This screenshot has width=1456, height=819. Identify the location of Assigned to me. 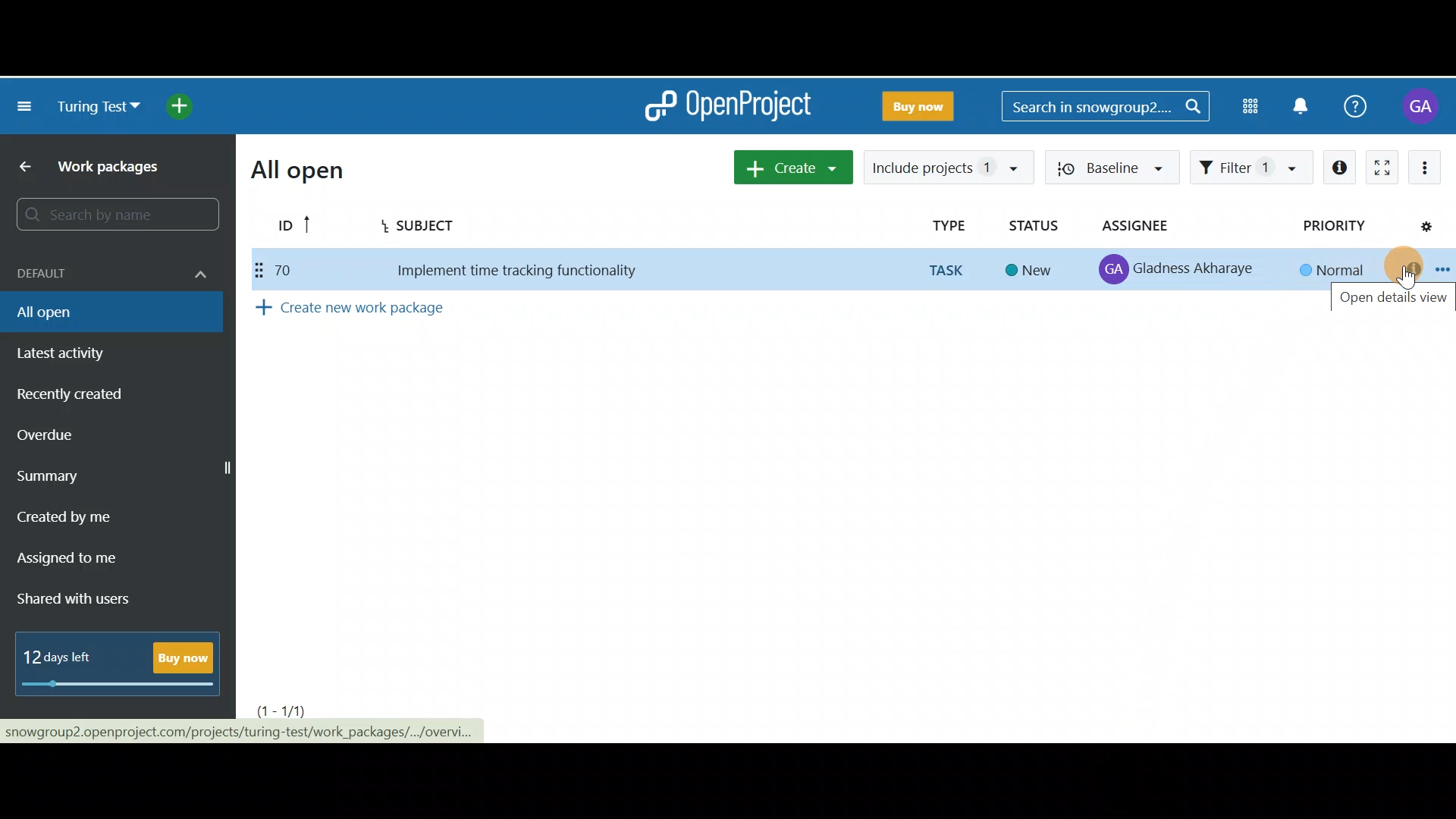
(88, 560).